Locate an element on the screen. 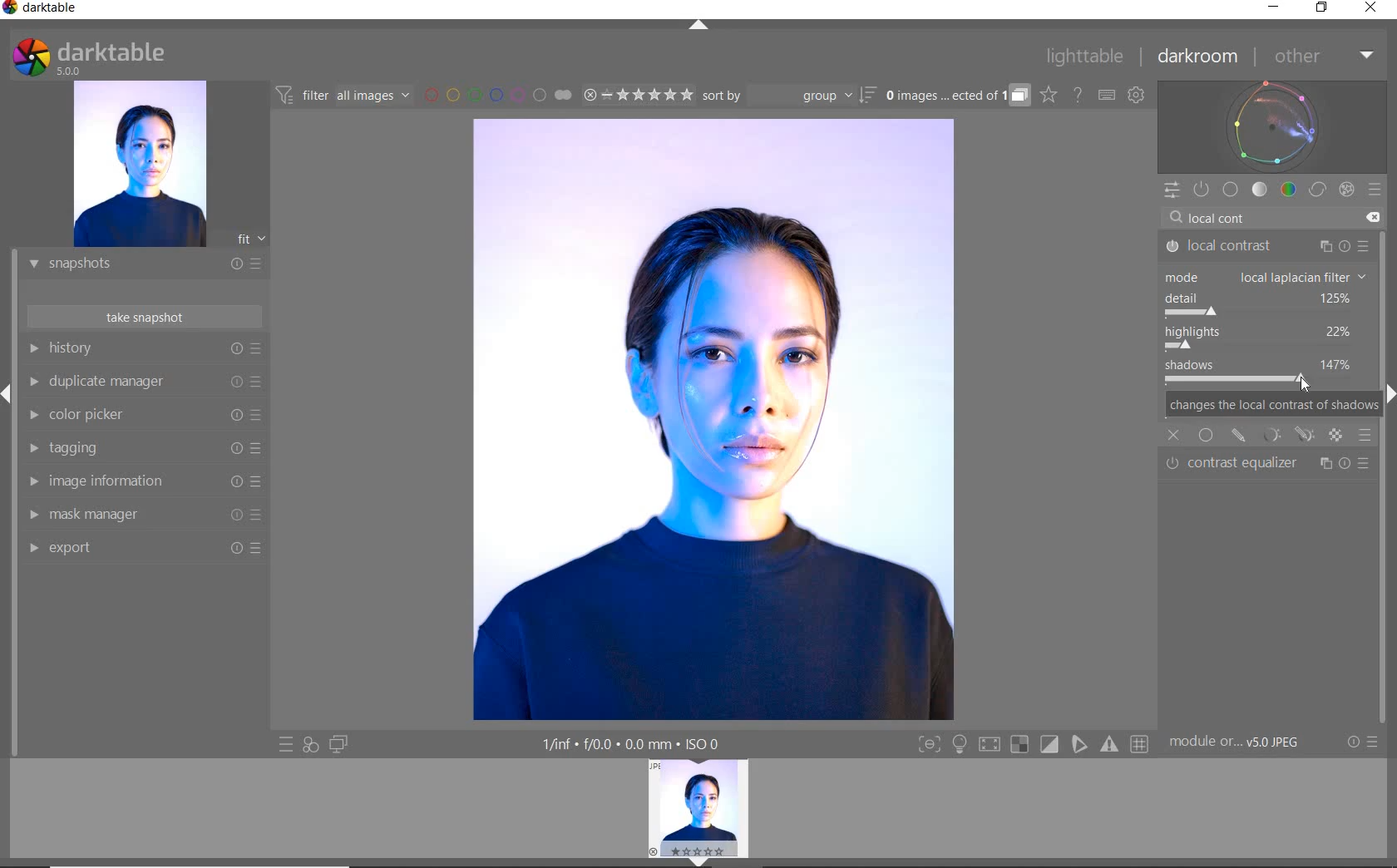 Image resolution: width=1397 pixels, height=868 pixels. IMAGE PREVIEW is located at coordinates (698, 808).